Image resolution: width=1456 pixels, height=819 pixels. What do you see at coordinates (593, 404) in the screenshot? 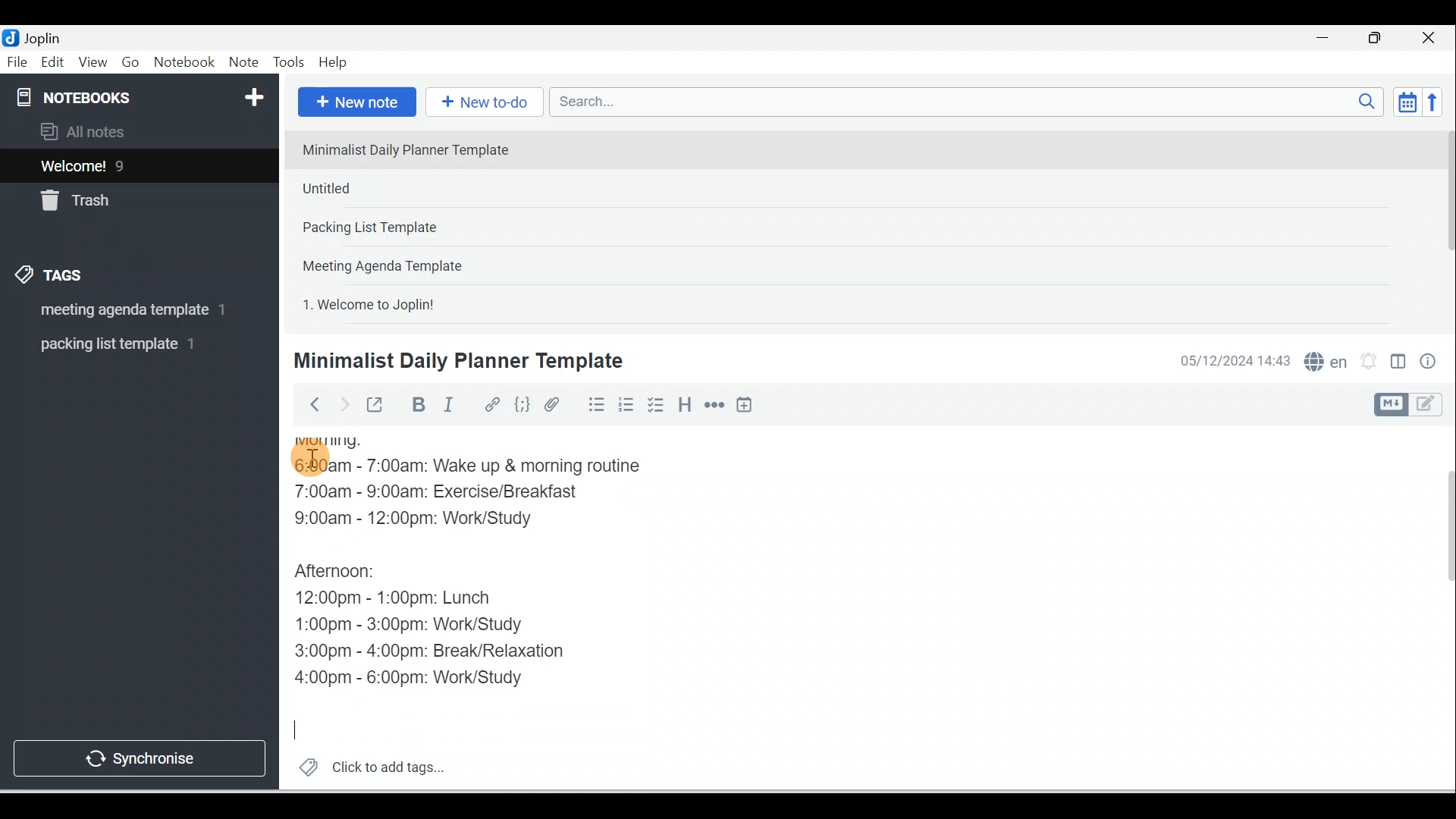
I see `Bulleted list` at bounding box center [593, 404].